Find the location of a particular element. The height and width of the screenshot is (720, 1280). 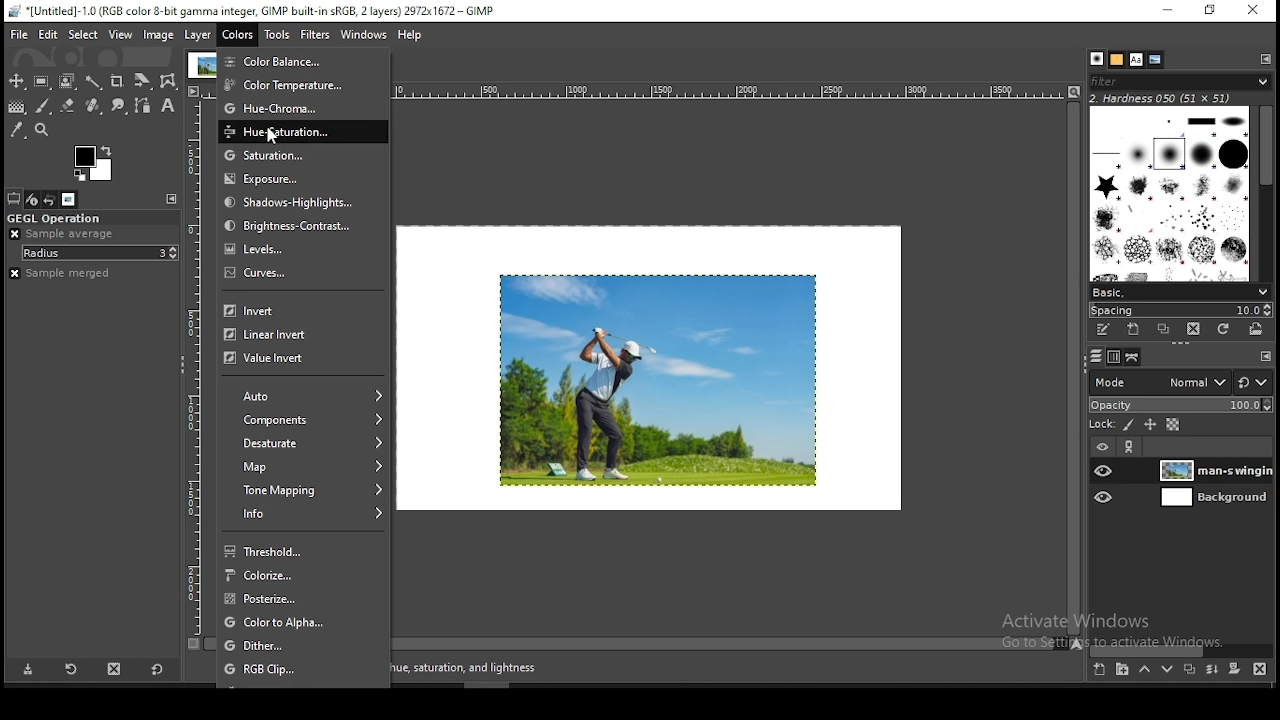

crop tool is located at coordinates (143, 82).